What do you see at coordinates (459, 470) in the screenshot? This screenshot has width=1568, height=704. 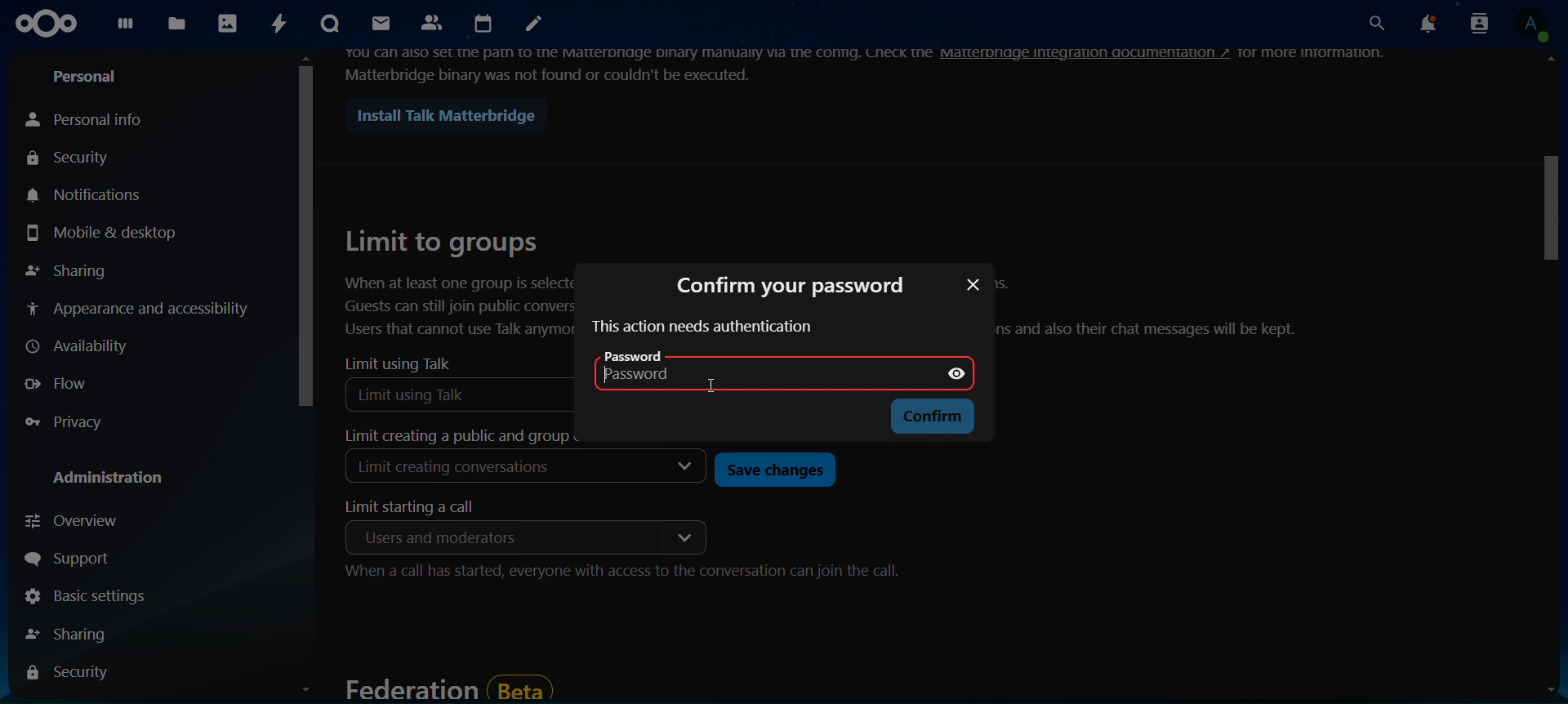 I see `Limit creating conversations selected` at bounding box center [459, 470].